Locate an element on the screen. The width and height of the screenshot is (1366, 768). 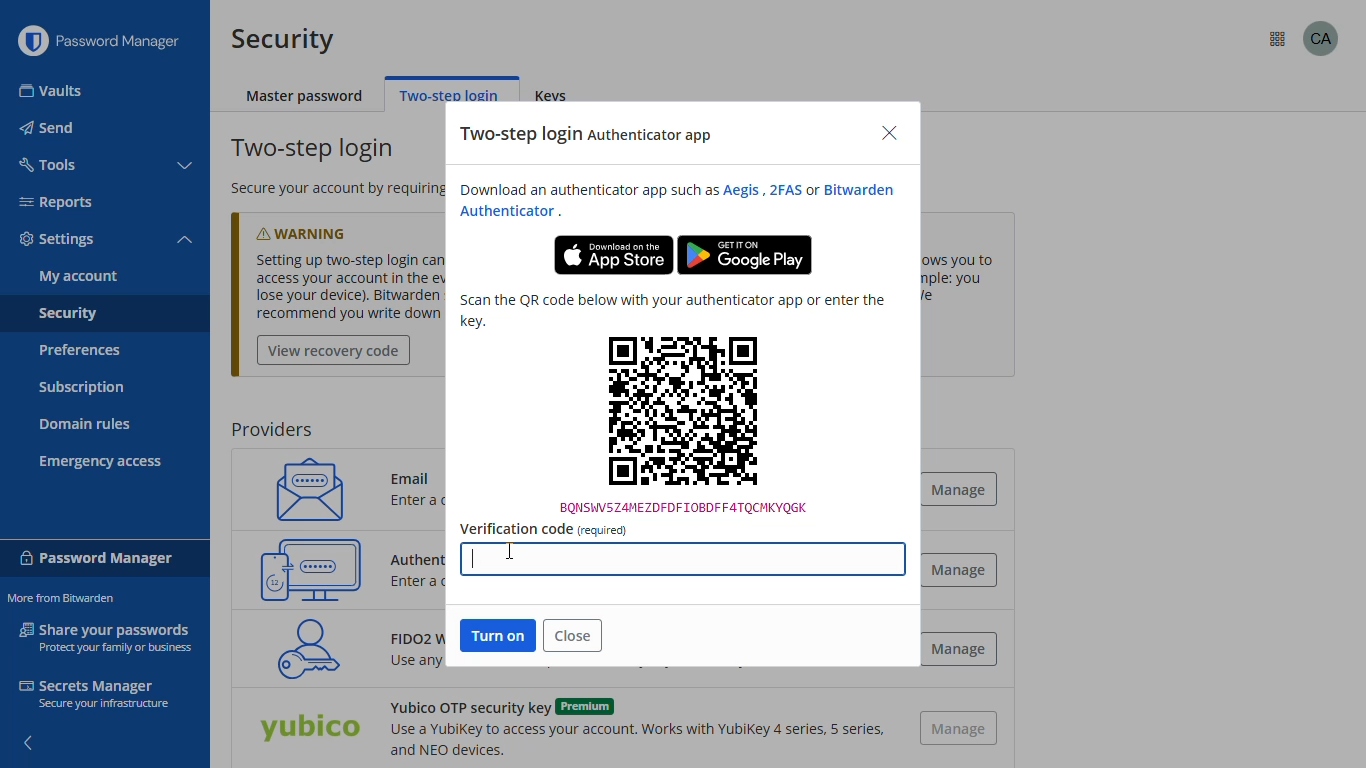
subscription is located at coordinates (82, 388).